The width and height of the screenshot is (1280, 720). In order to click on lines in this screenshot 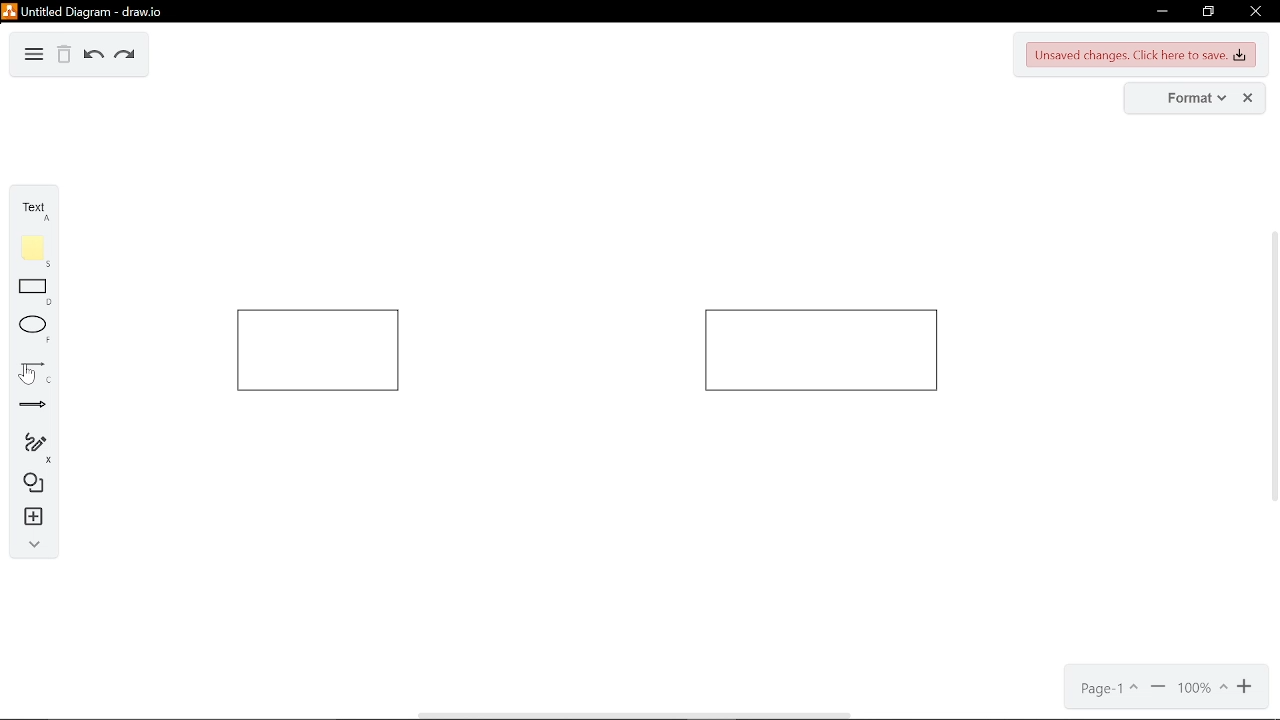, I will do `click(28, 373)`.